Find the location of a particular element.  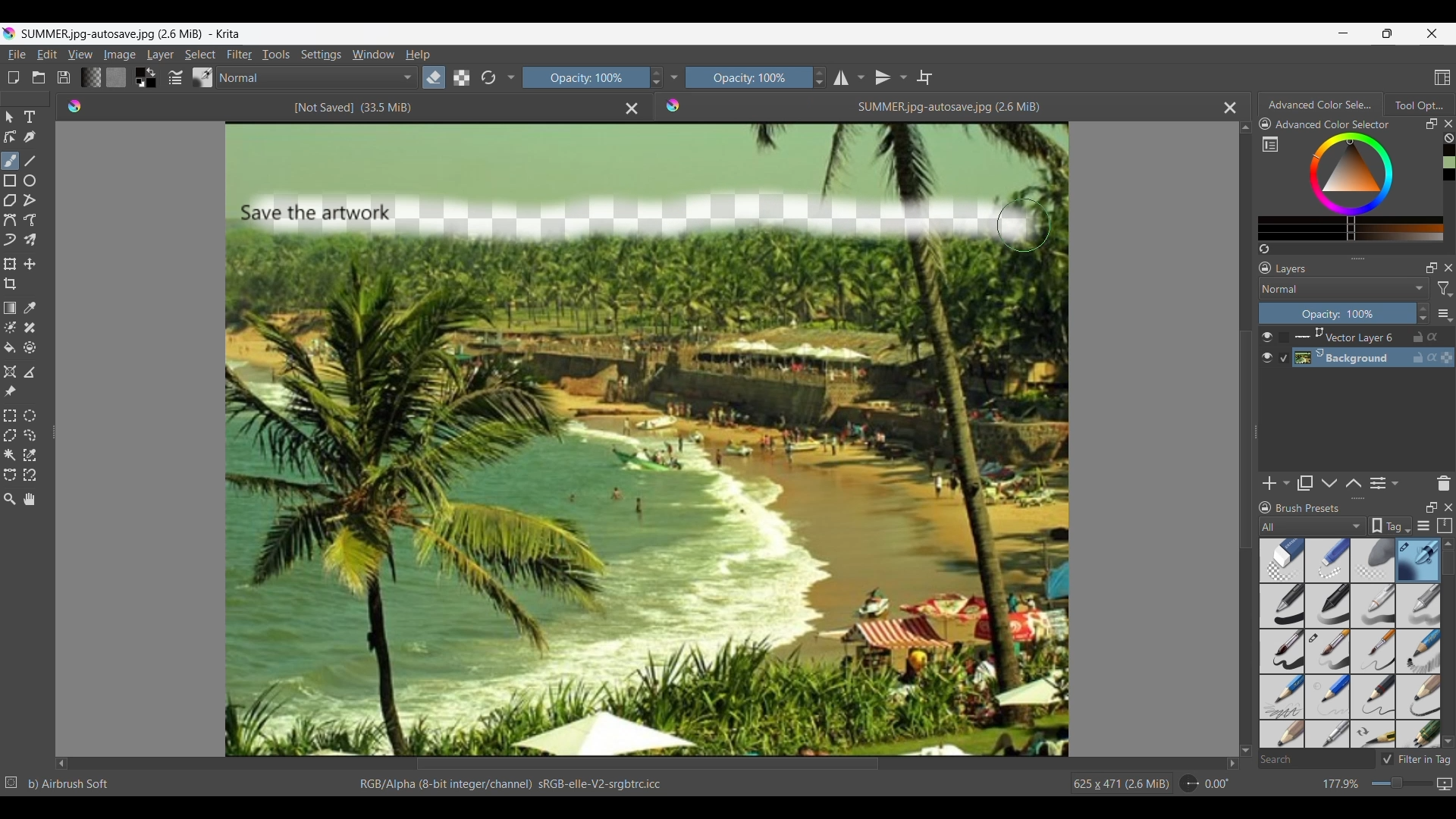

Increase/Decrease opacity is located at coordinates (1423, 313).